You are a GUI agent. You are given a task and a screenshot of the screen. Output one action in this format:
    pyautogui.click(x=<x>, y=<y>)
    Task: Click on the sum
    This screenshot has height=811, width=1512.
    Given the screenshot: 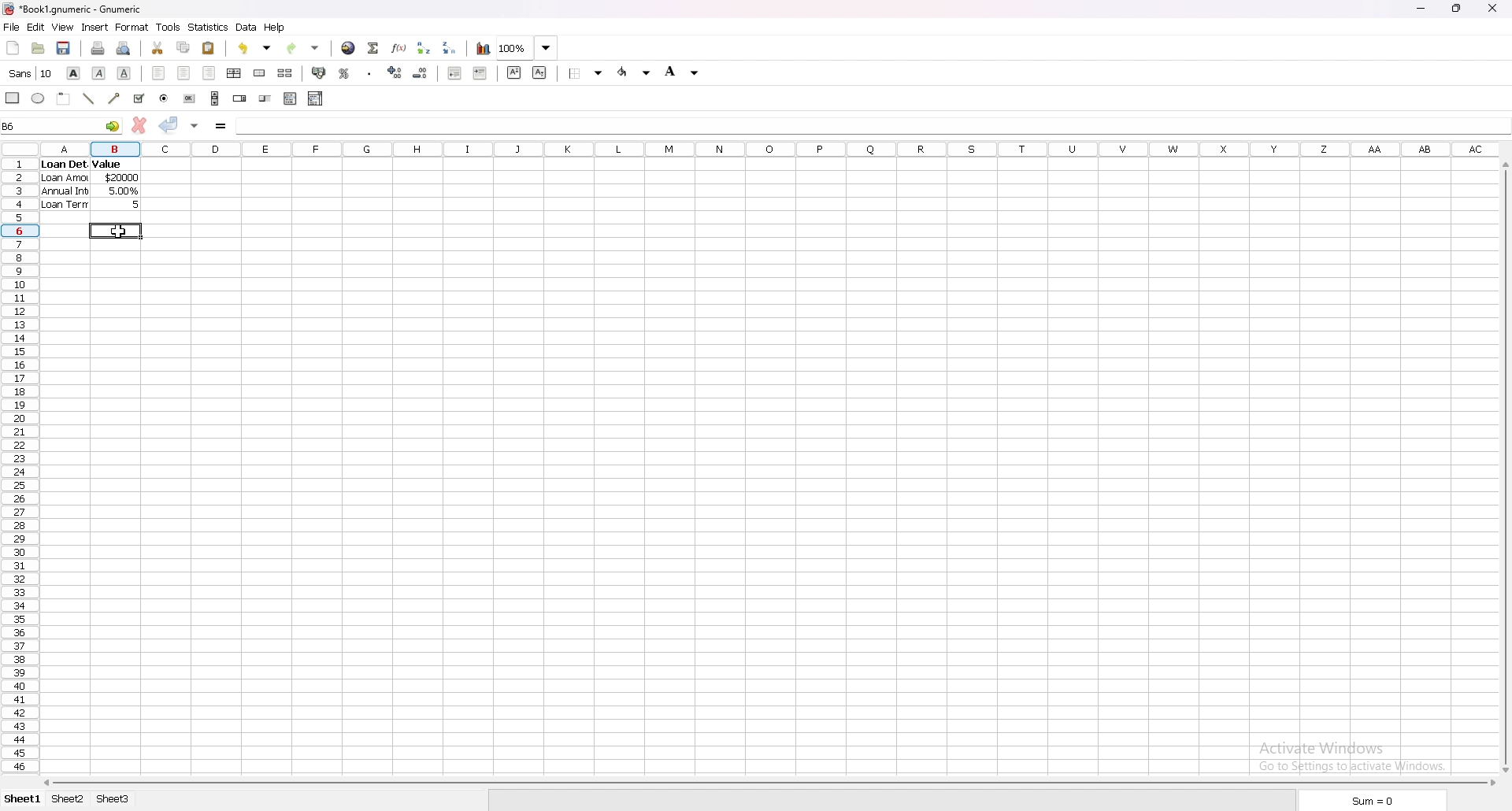 What is the action you would take?
    pyautogui.click(x=1376, y=802)
    